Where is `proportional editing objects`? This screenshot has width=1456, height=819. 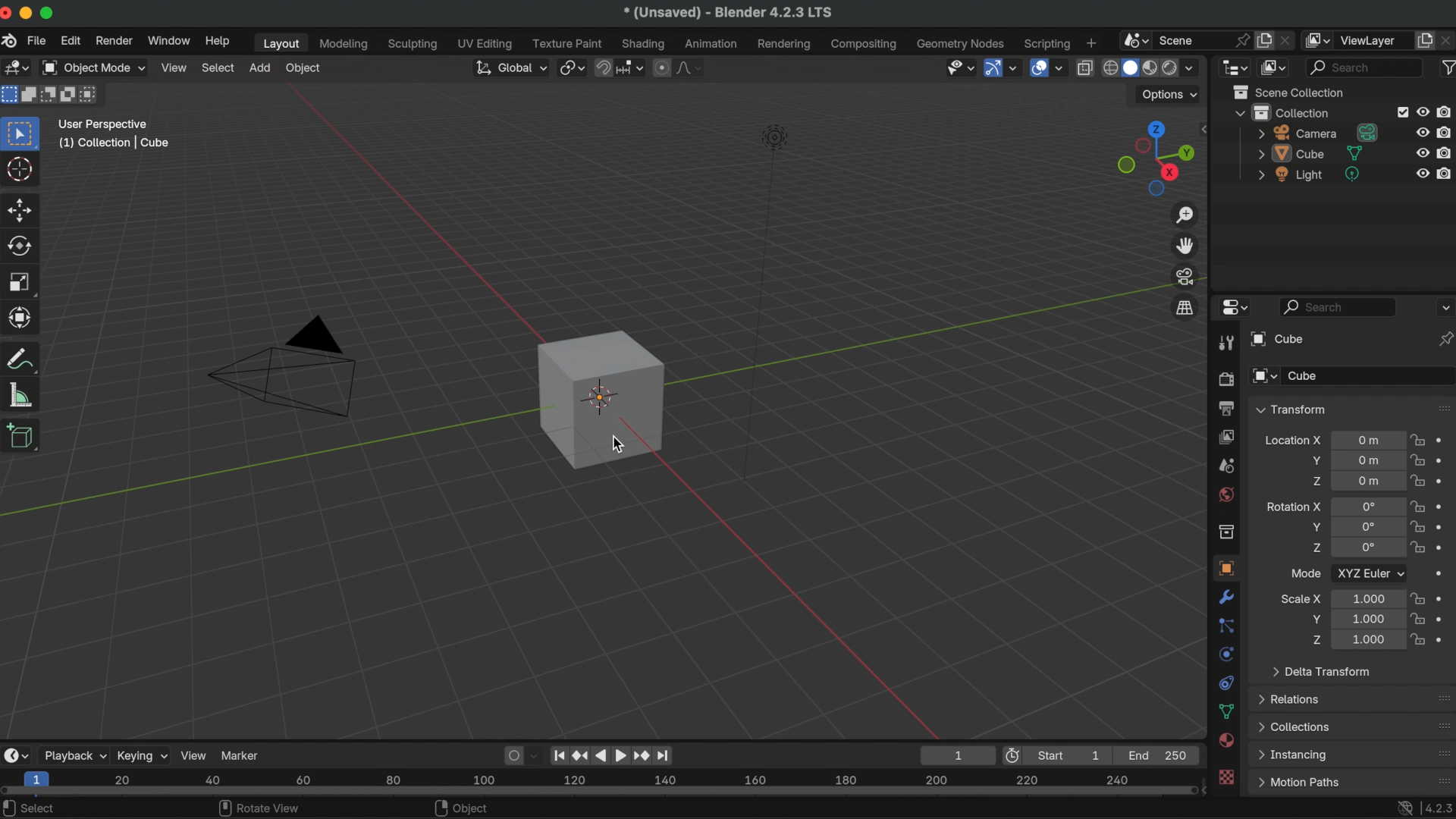 proportional editing objects is located at coordinates (663, 67).